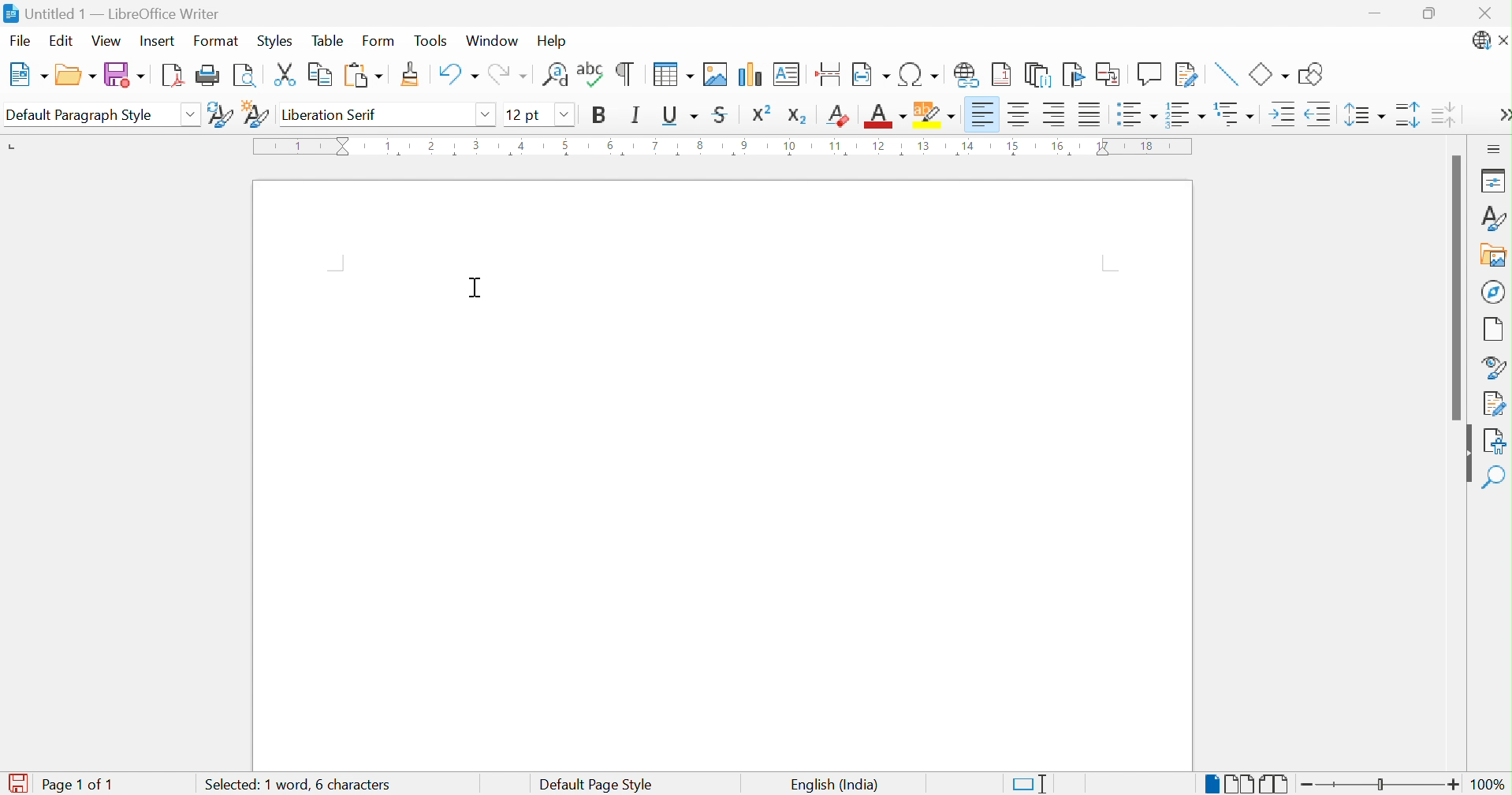  What do you see at coordinates (1020, 114) in the screenshot?
I see `Align Center` at bounding box center [1020, 114].